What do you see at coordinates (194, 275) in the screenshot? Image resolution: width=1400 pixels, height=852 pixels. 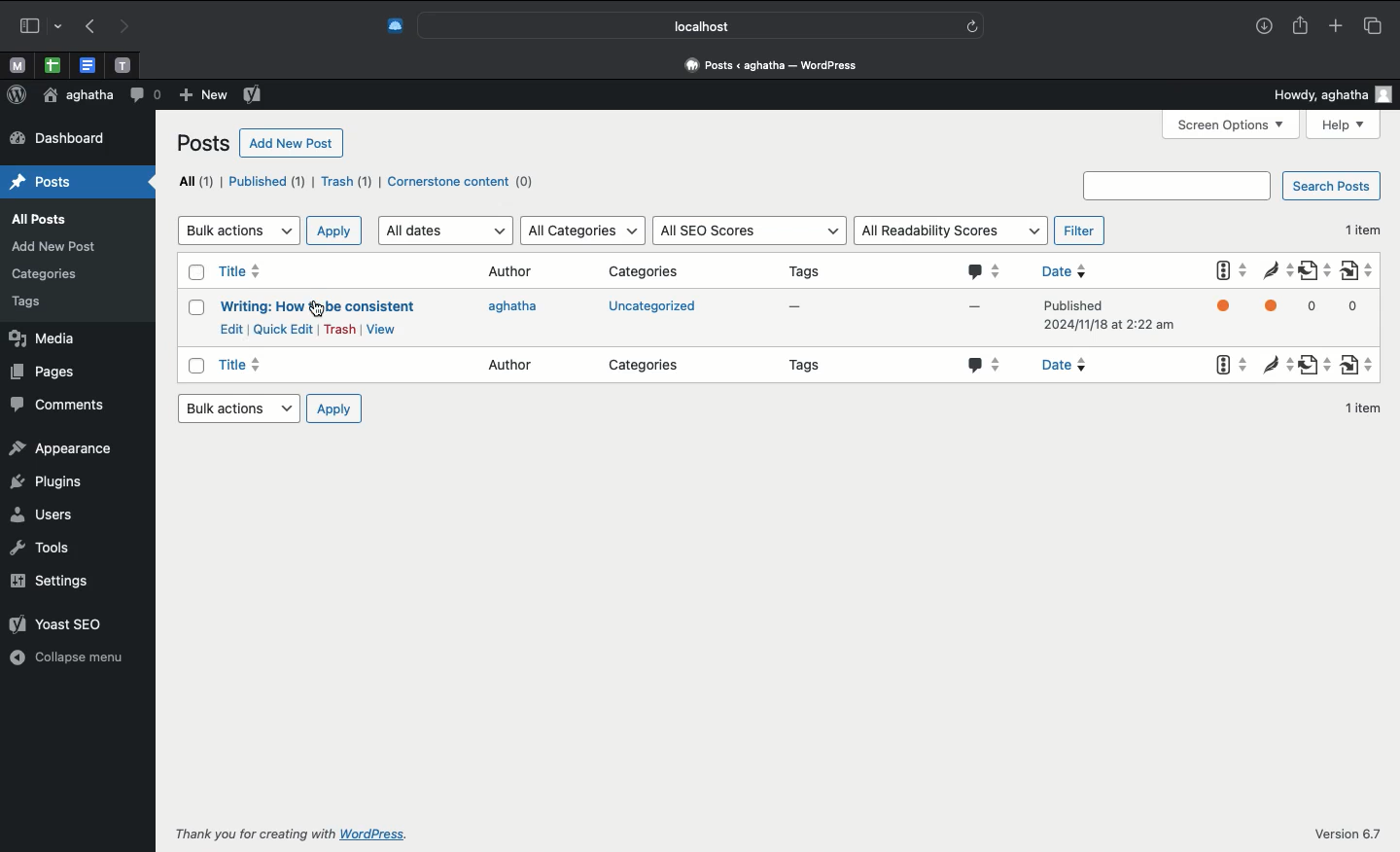 I see `Checkbox` at bounding box center [194, 275].